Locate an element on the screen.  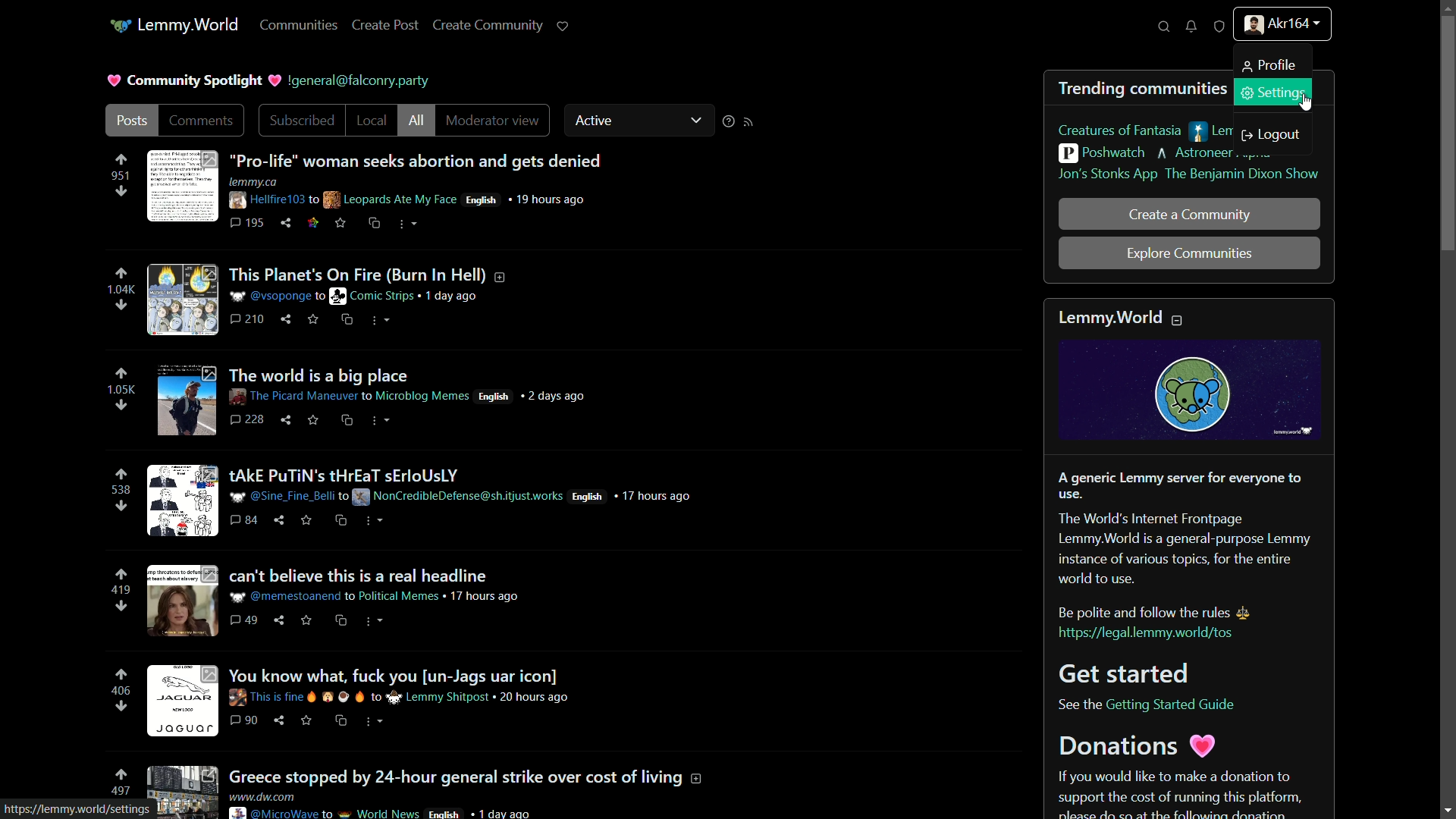
post-5 is located at coordinates (333, 600).